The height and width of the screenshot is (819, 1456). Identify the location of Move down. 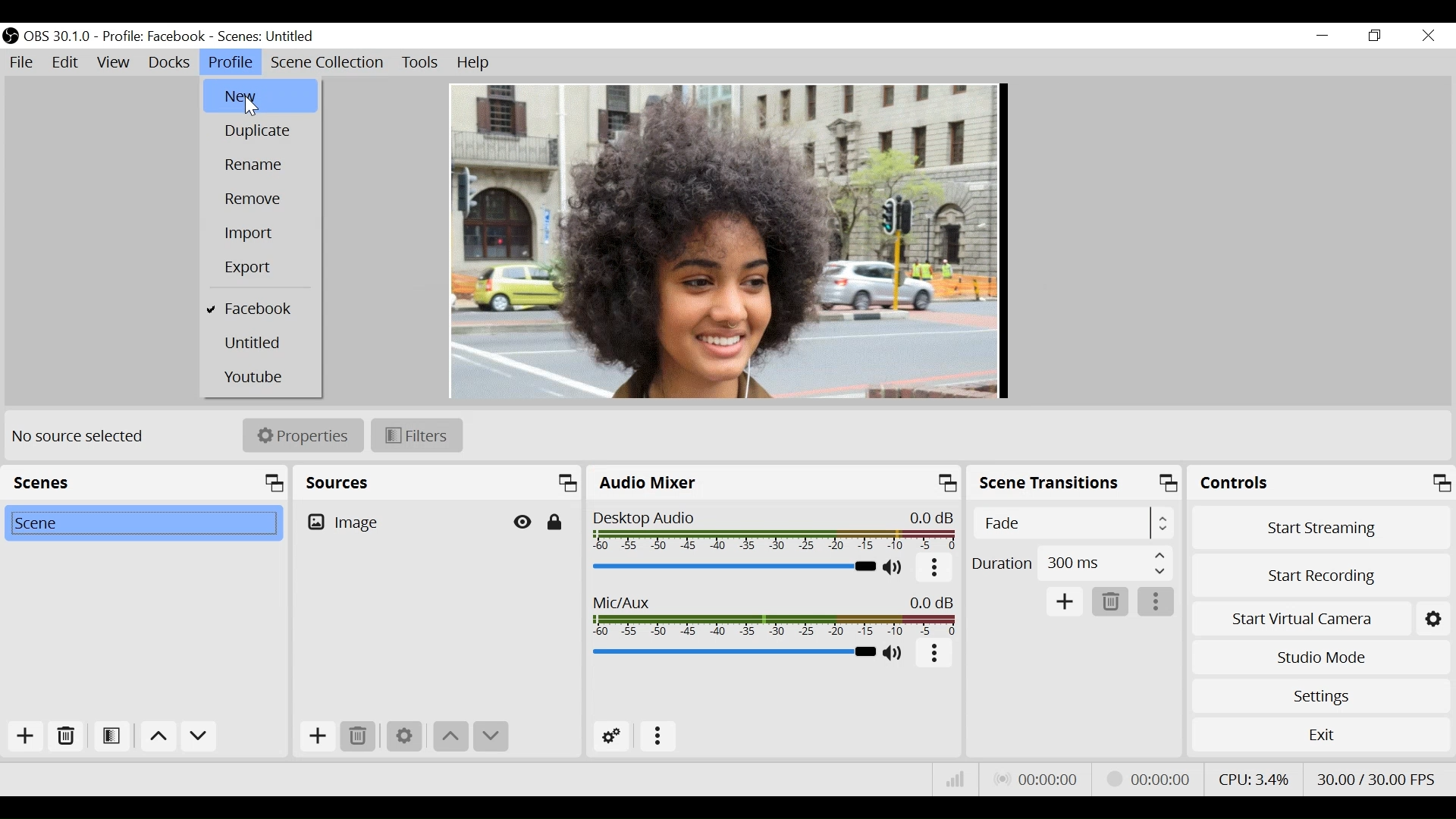
(491, 736).